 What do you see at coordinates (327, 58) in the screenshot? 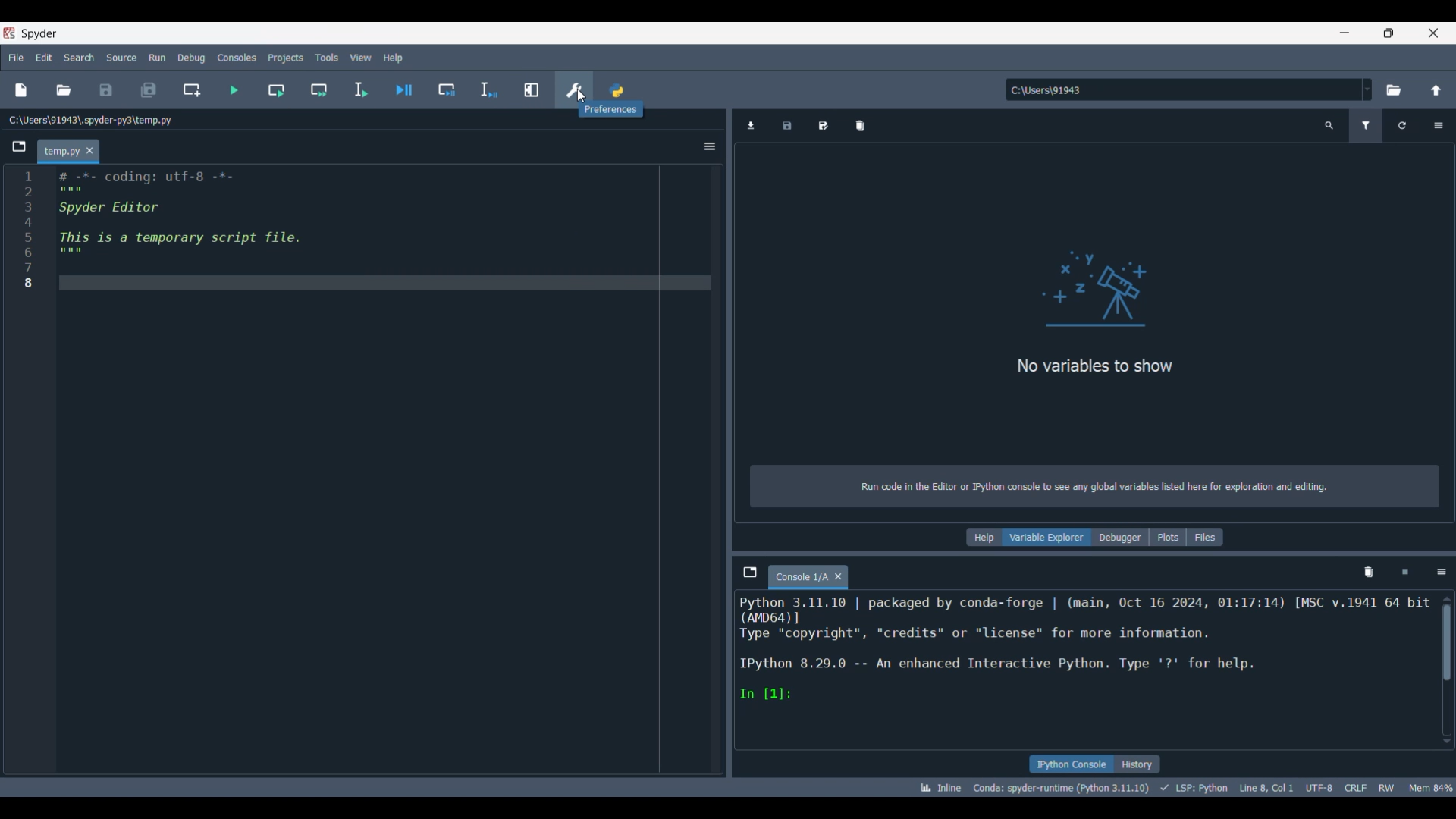
I see `Tools menu` at bounding box center [327, 58].